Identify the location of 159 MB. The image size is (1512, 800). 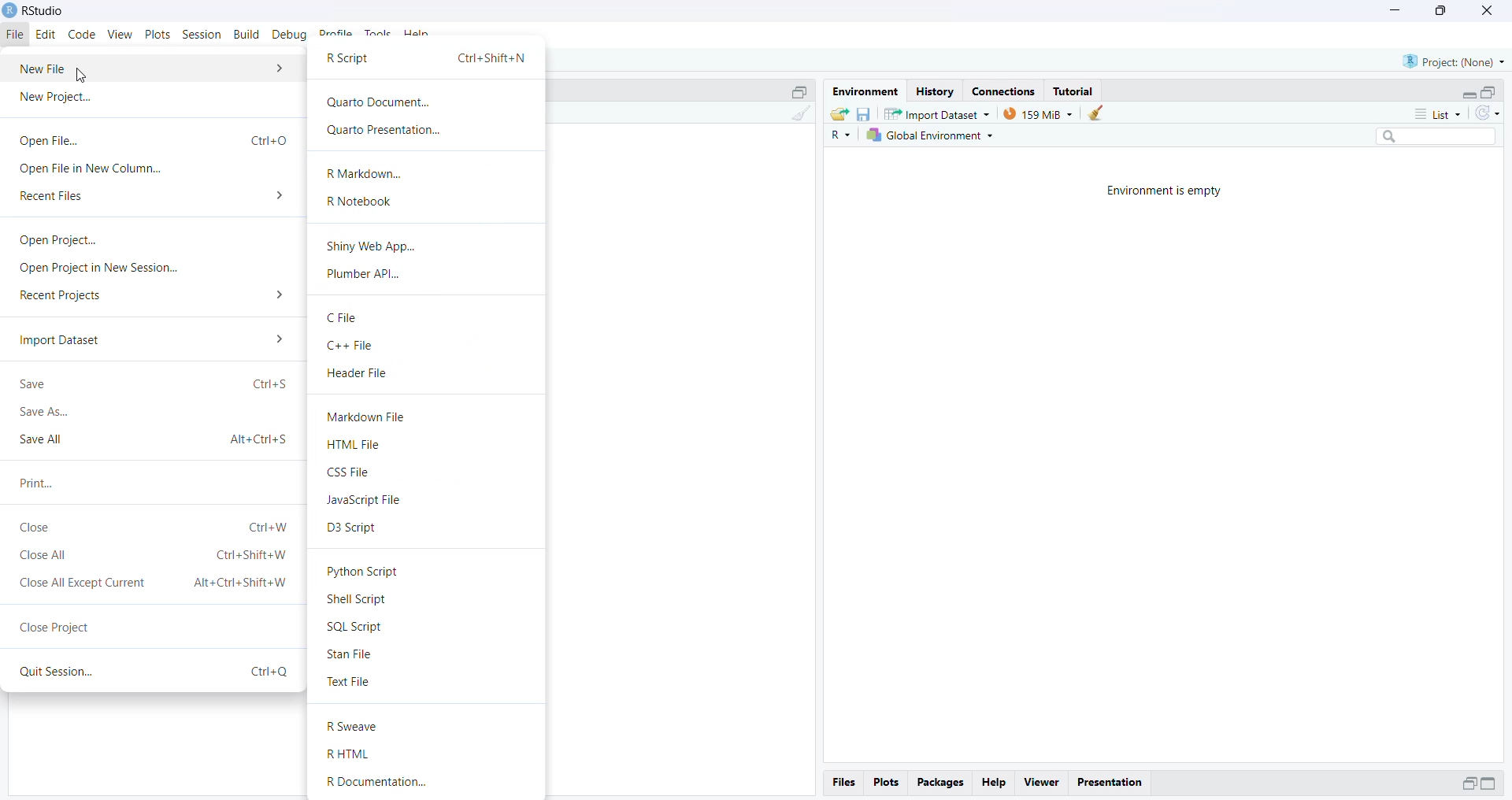
(1037, 113).